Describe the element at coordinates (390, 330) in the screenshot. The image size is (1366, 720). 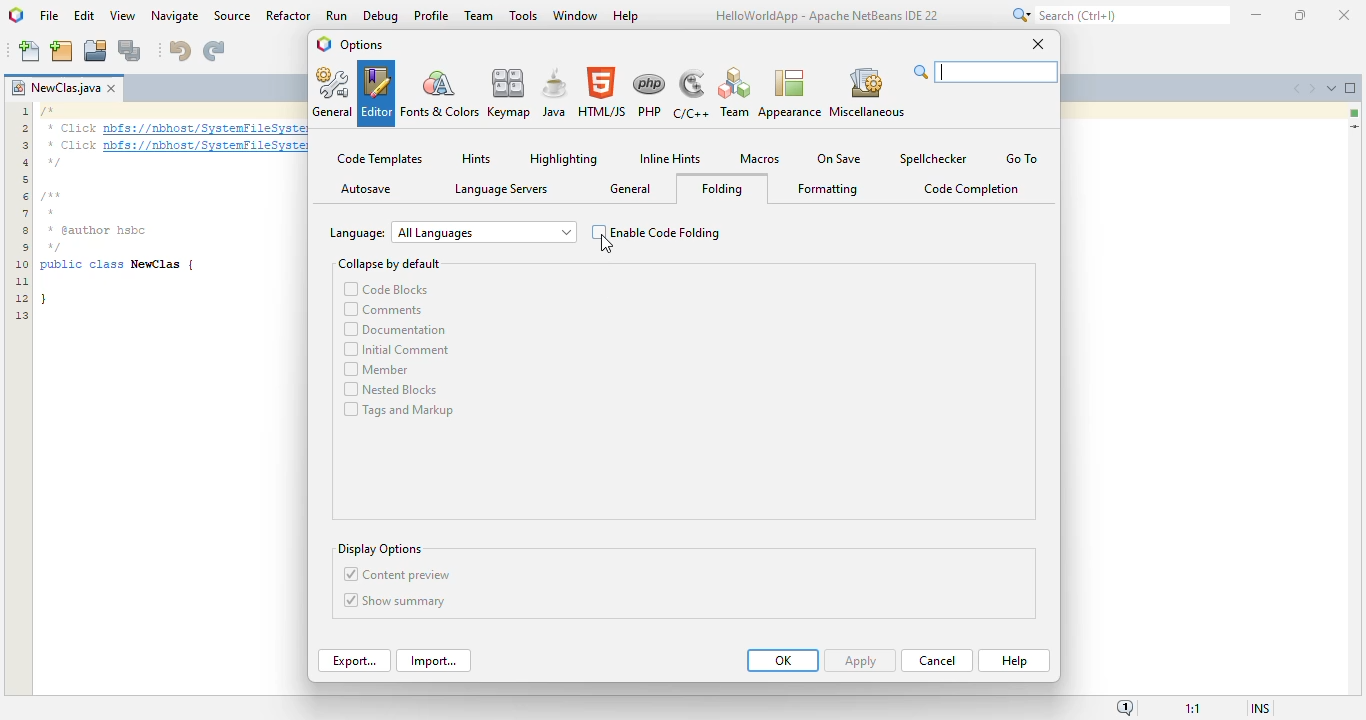
I see `documentation` at that location.